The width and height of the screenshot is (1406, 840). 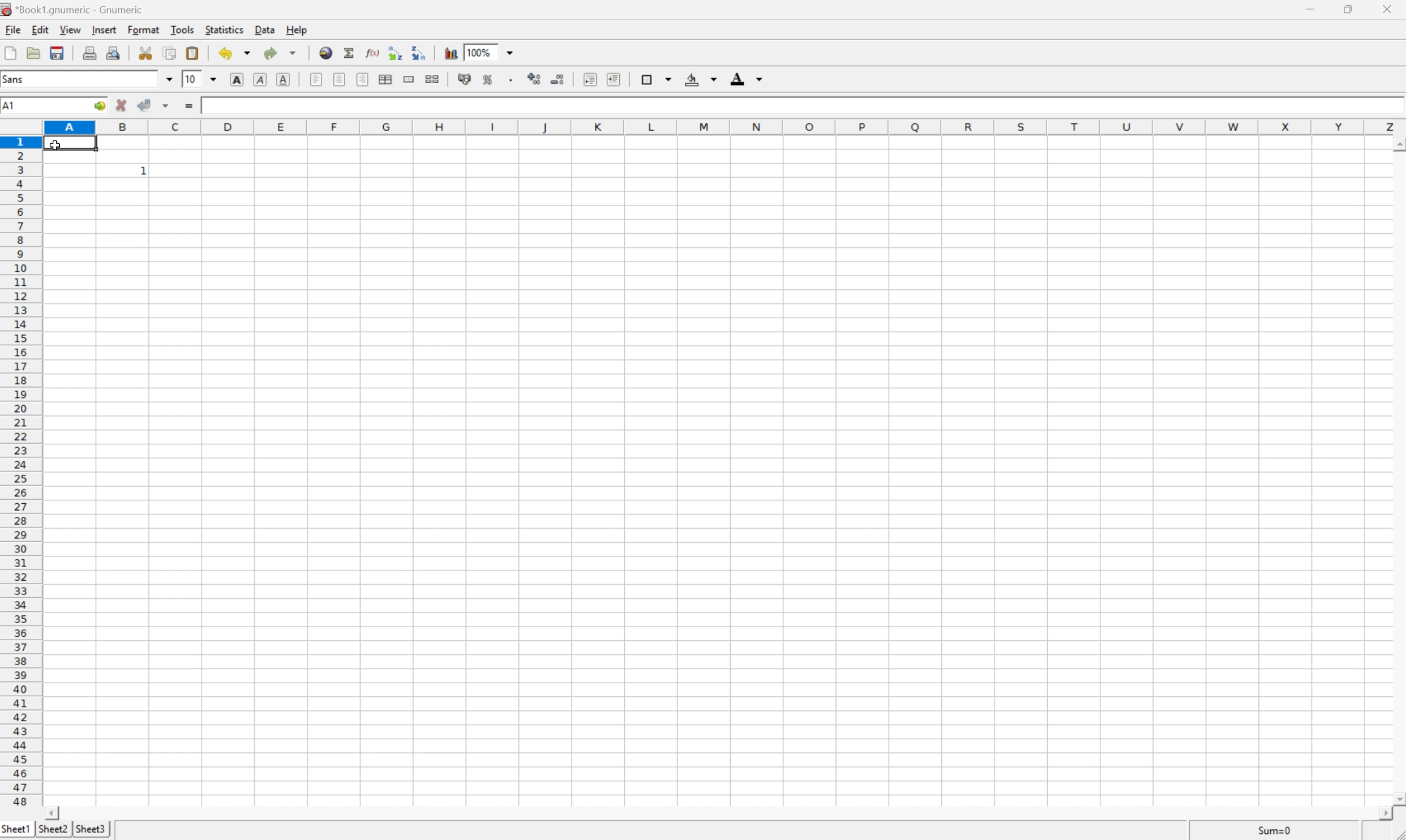 What do you see at coordinates (362, 78) in the screenshot?
I see `Align Right` at bounding box center [362, 78].